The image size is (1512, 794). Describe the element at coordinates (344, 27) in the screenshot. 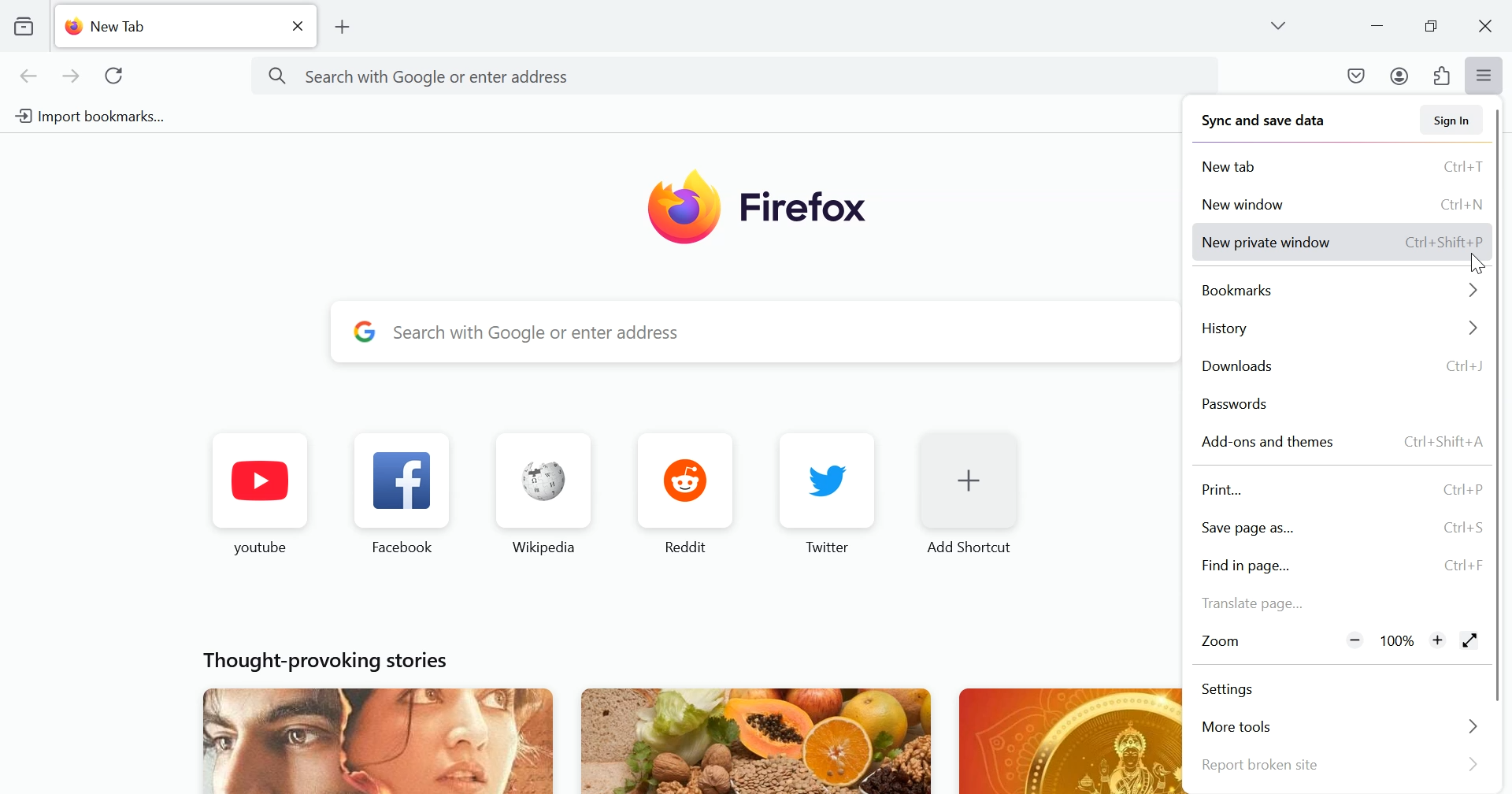

I see `Add New tab` at that location.